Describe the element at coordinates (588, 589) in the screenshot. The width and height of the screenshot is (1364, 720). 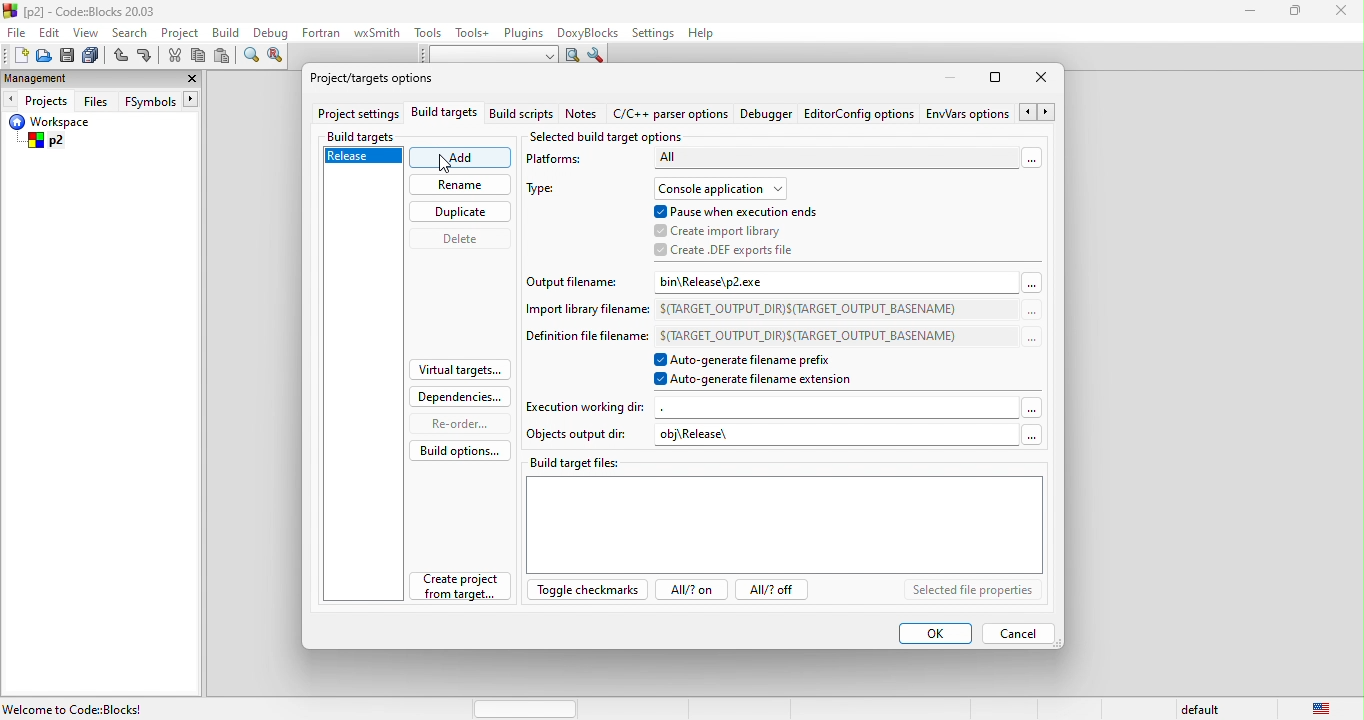
I see `toggle checkmarks` at that location.